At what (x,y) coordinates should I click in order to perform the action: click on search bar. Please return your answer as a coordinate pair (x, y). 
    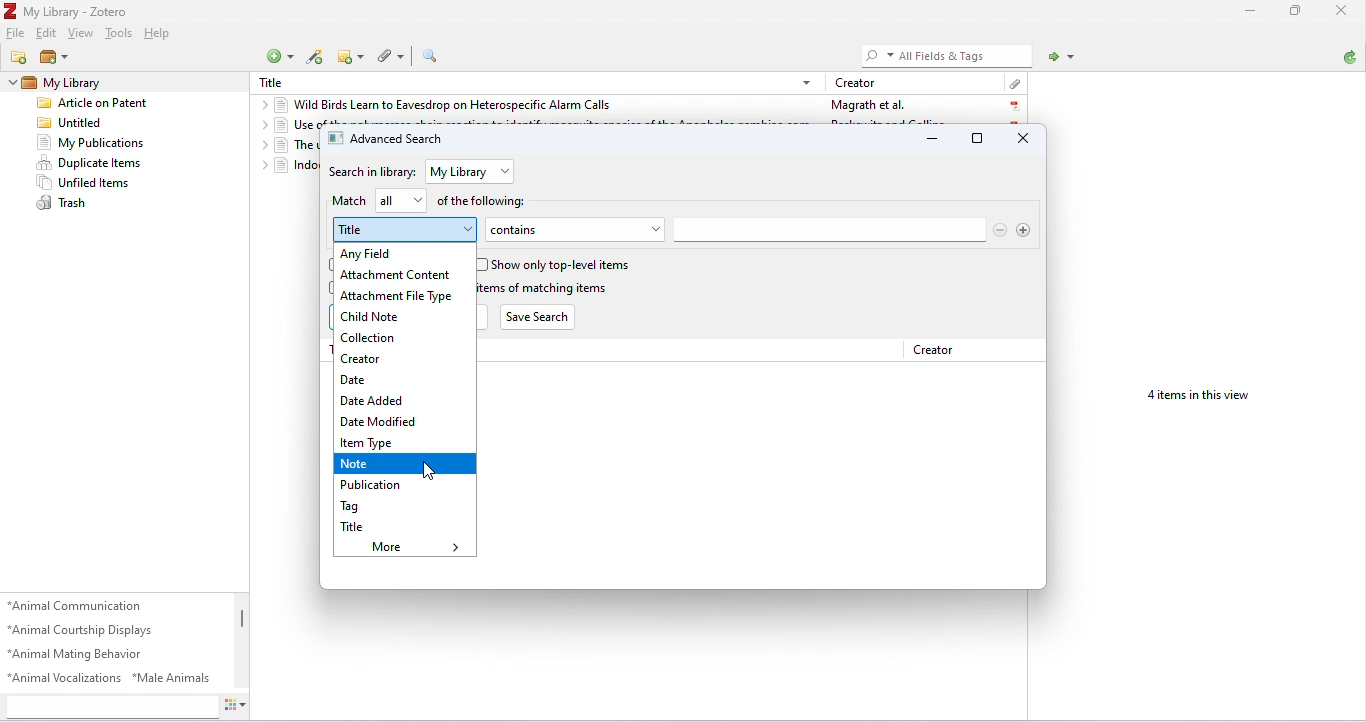
    Looking at the image, I should click on (829, 230).